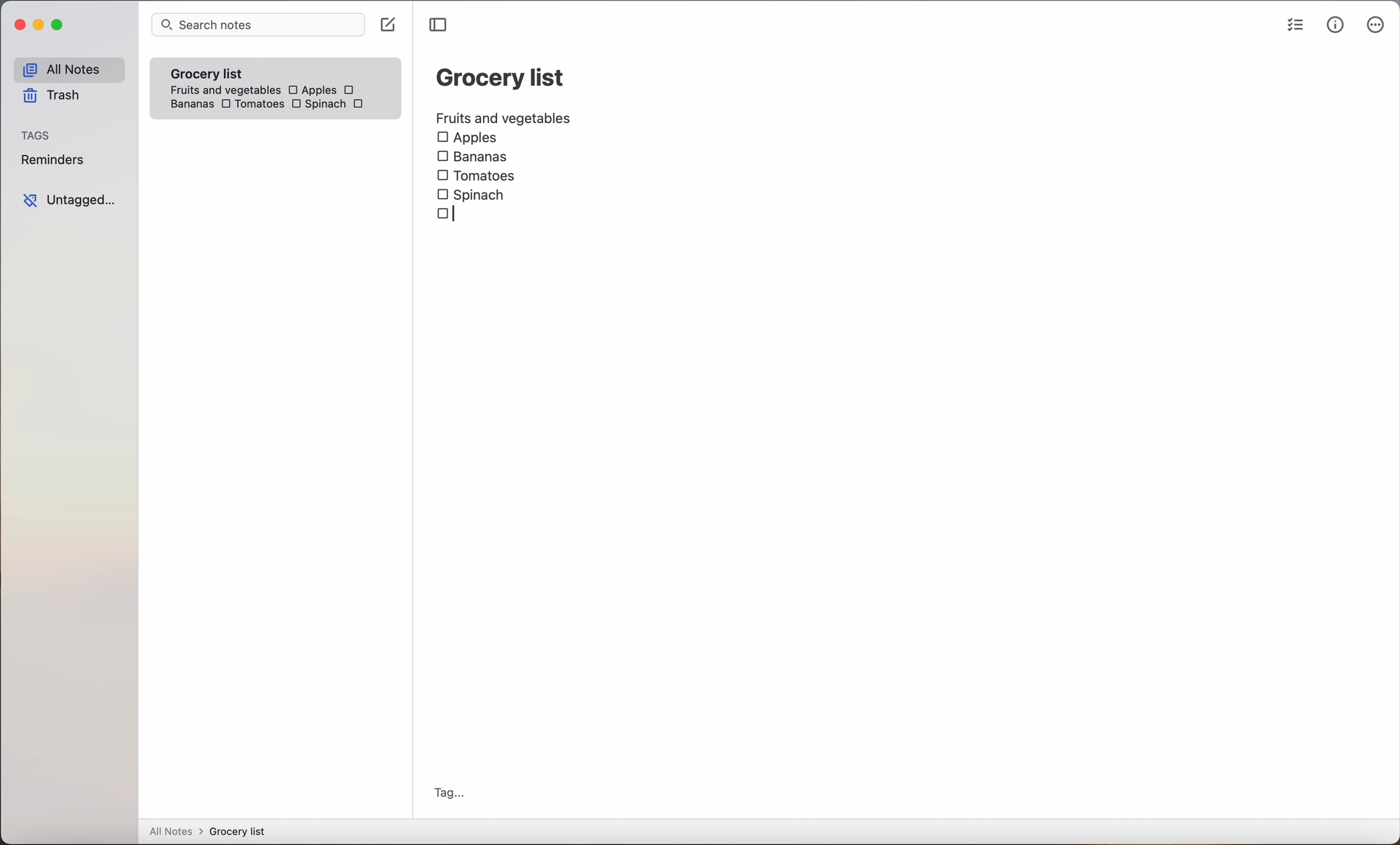  I want to click on toggle sidebar, so click(440, 25).